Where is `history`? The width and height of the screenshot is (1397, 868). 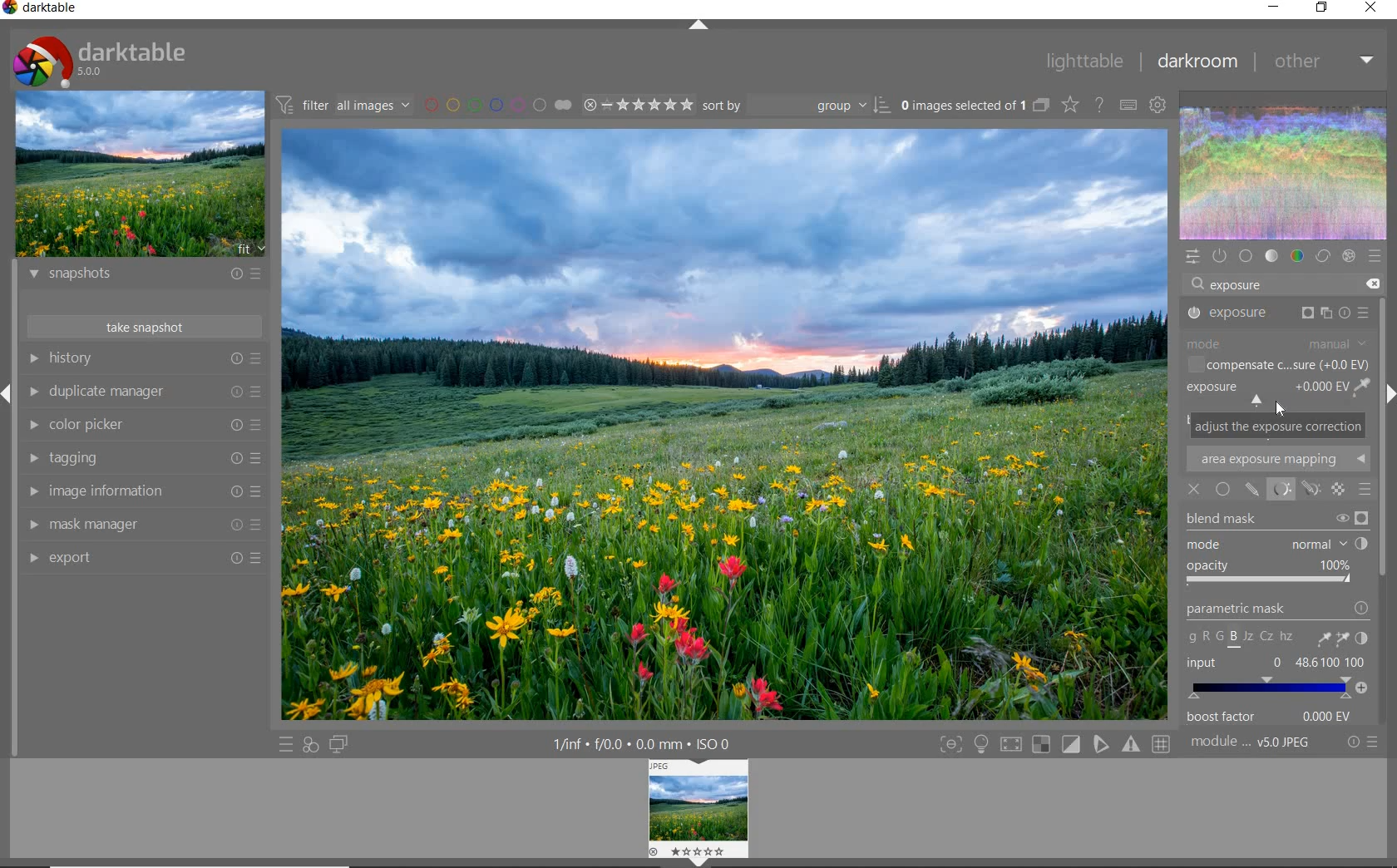 history is located at coordinates (143, 358).